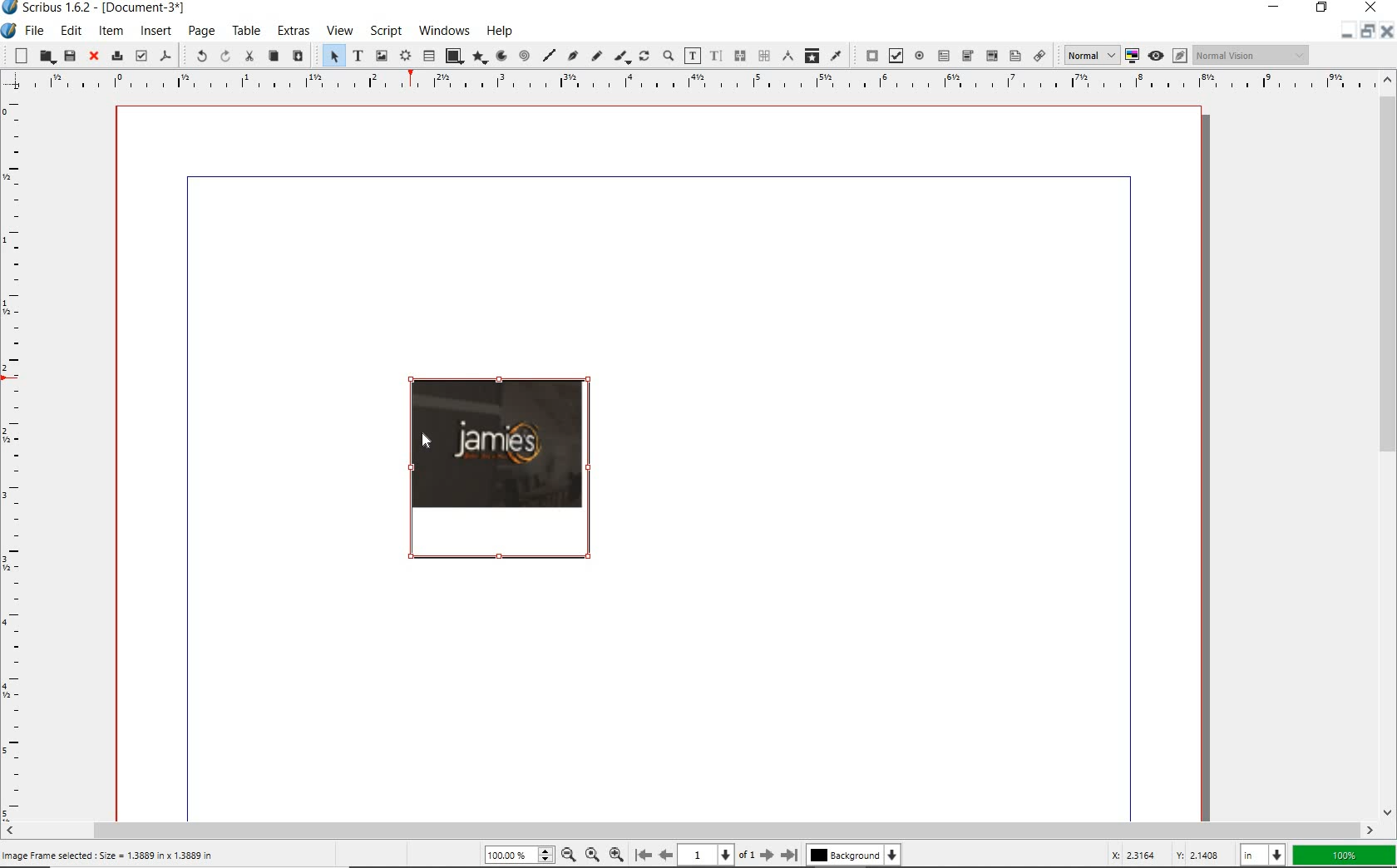 This screenshot has height=868, width=1397. What do you see at coordinates (1252, 55) in the screenshot?
I see `visual appearance of display` at bounding box center [1252, 55].